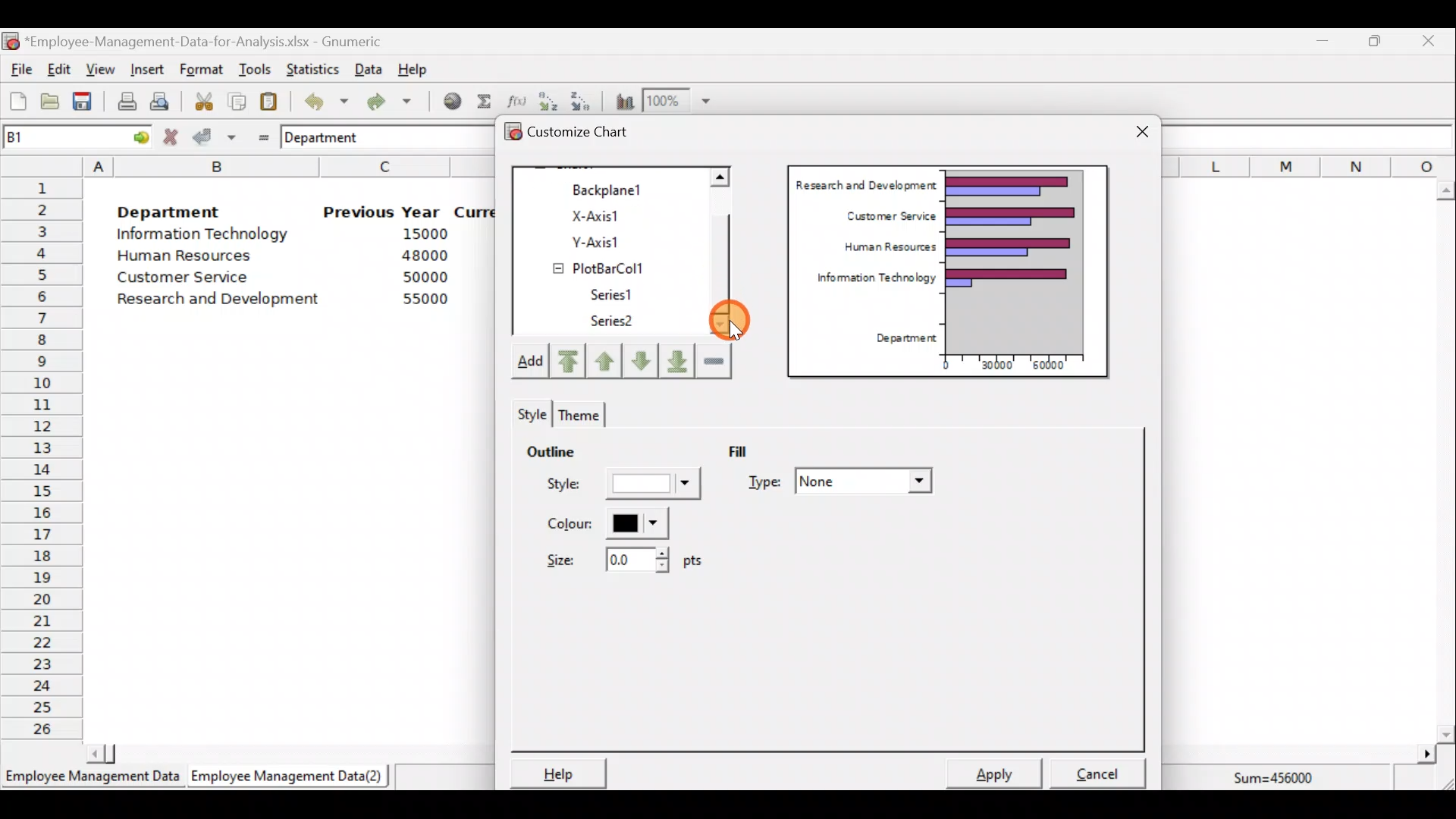 Image resolution: width=1456 pixels, height=819 pixels. What do you see at coordinates (613, 213) in the screenshot?
I see `X-axis1` at bounding box center [613, 213].